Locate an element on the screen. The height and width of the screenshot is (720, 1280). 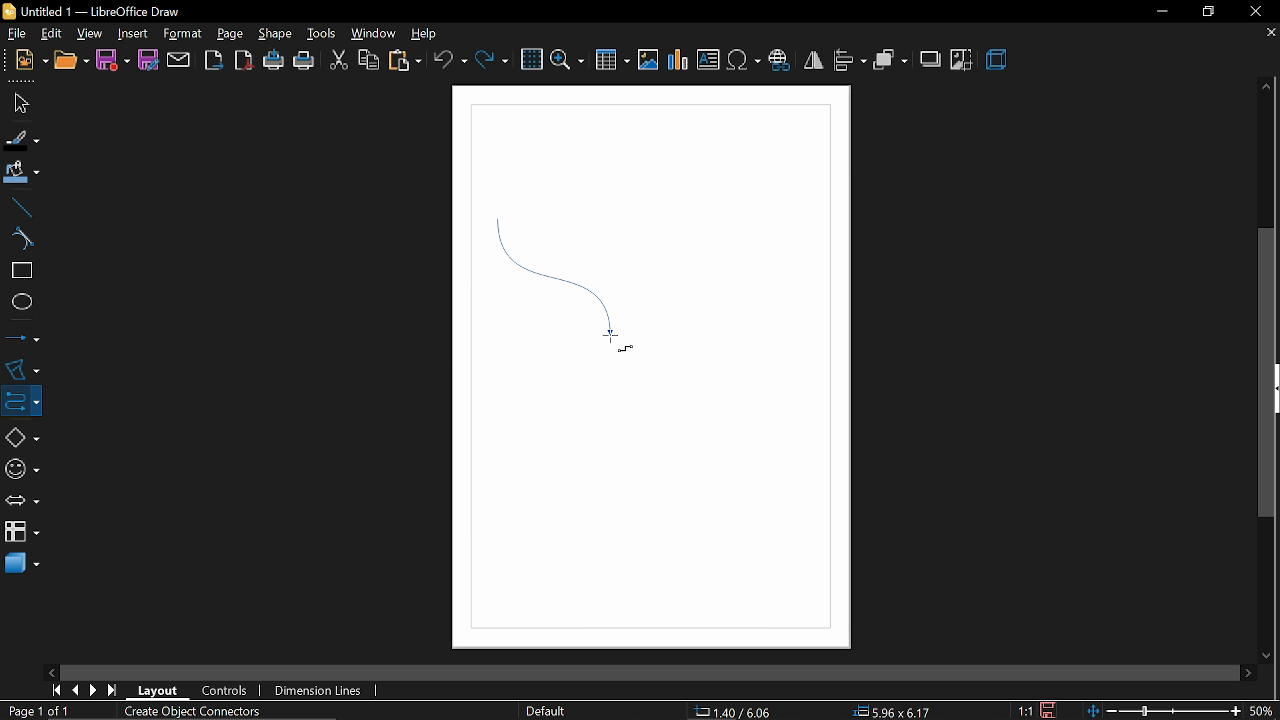
curves and polygons is located at coordinates (20, 369).